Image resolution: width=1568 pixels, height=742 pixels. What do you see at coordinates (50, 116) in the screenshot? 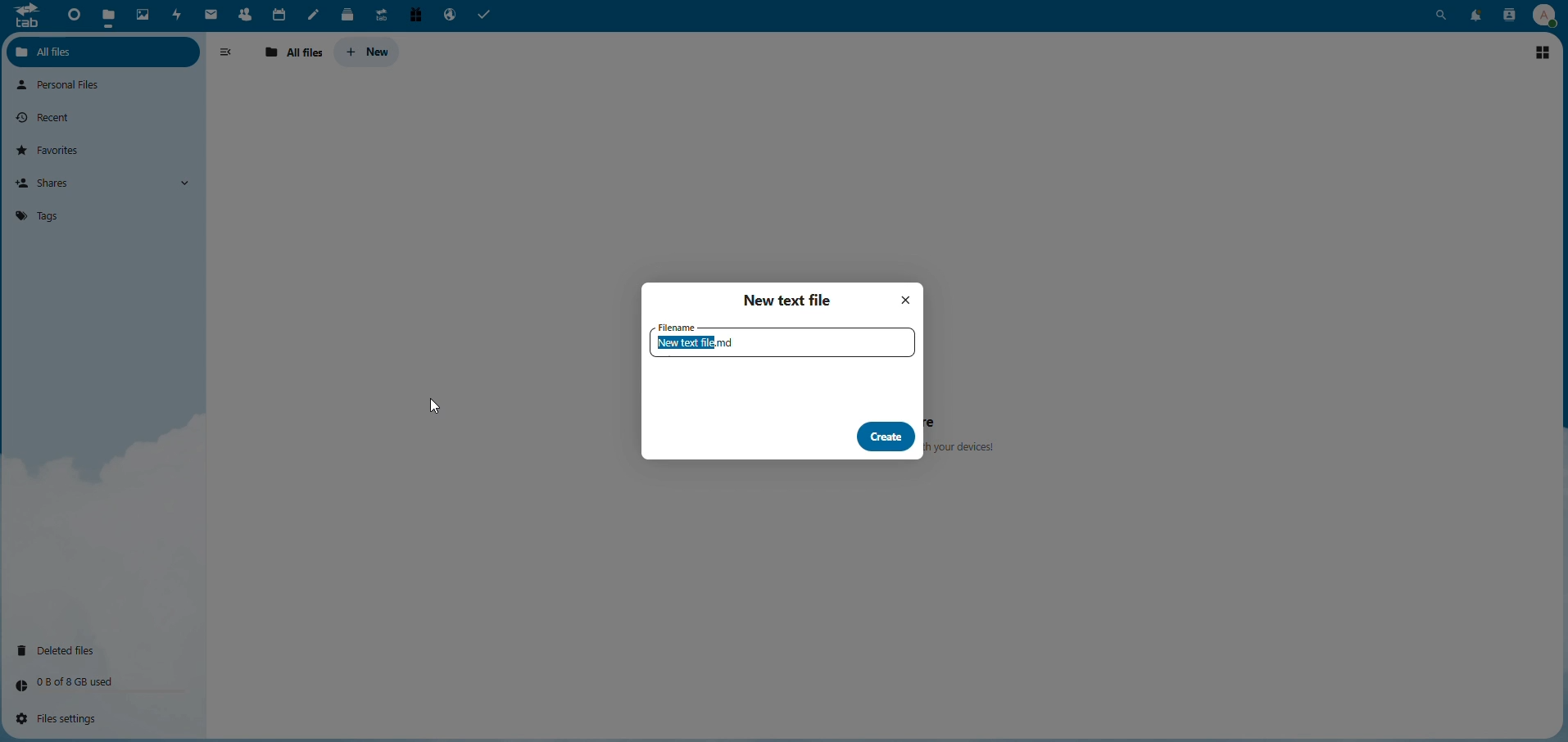
I see `Recent` at bounding box center [50, 116].